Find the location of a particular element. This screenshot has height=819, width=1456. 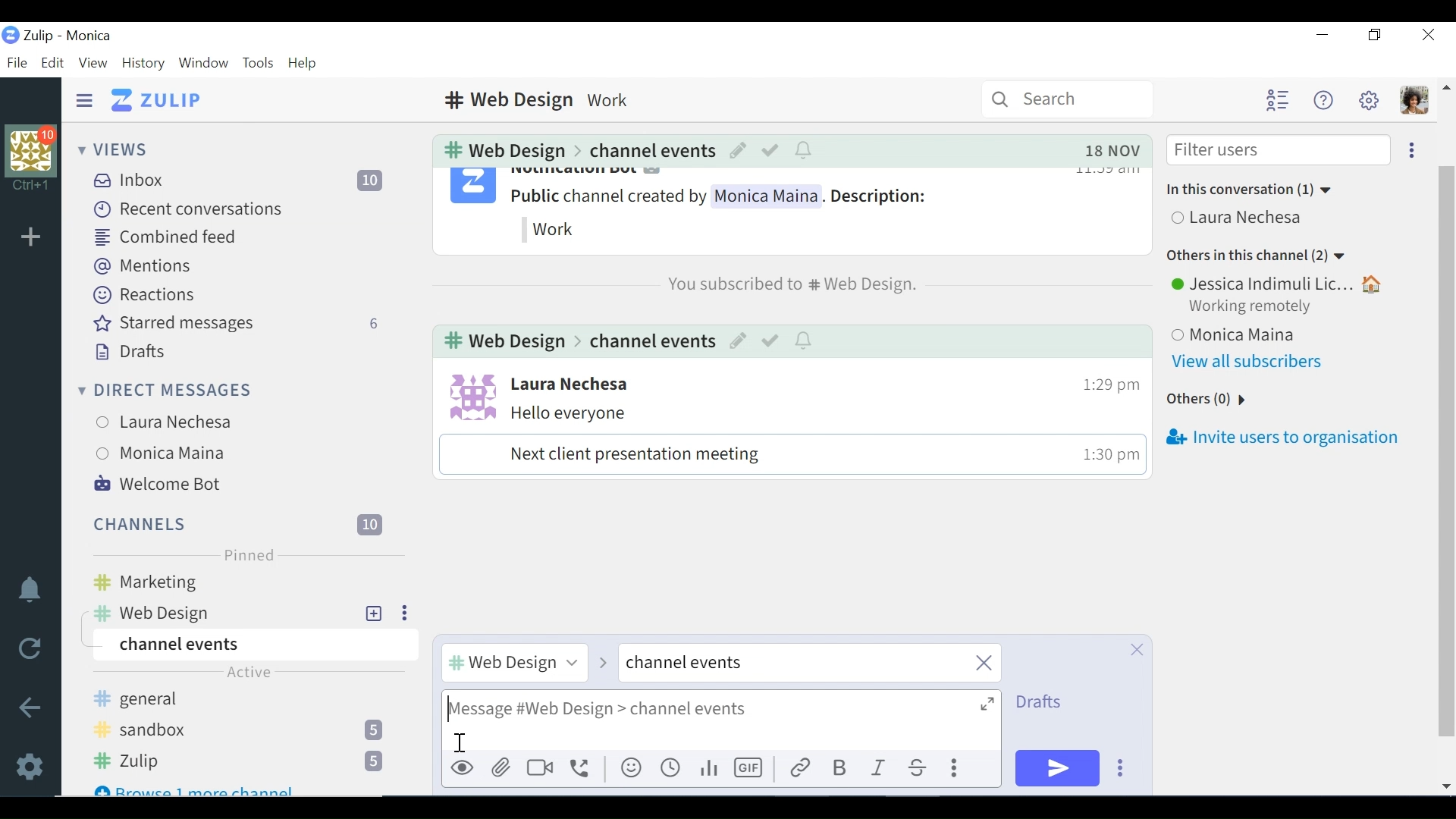

marketing Channel is located at coordinates (252, 583).